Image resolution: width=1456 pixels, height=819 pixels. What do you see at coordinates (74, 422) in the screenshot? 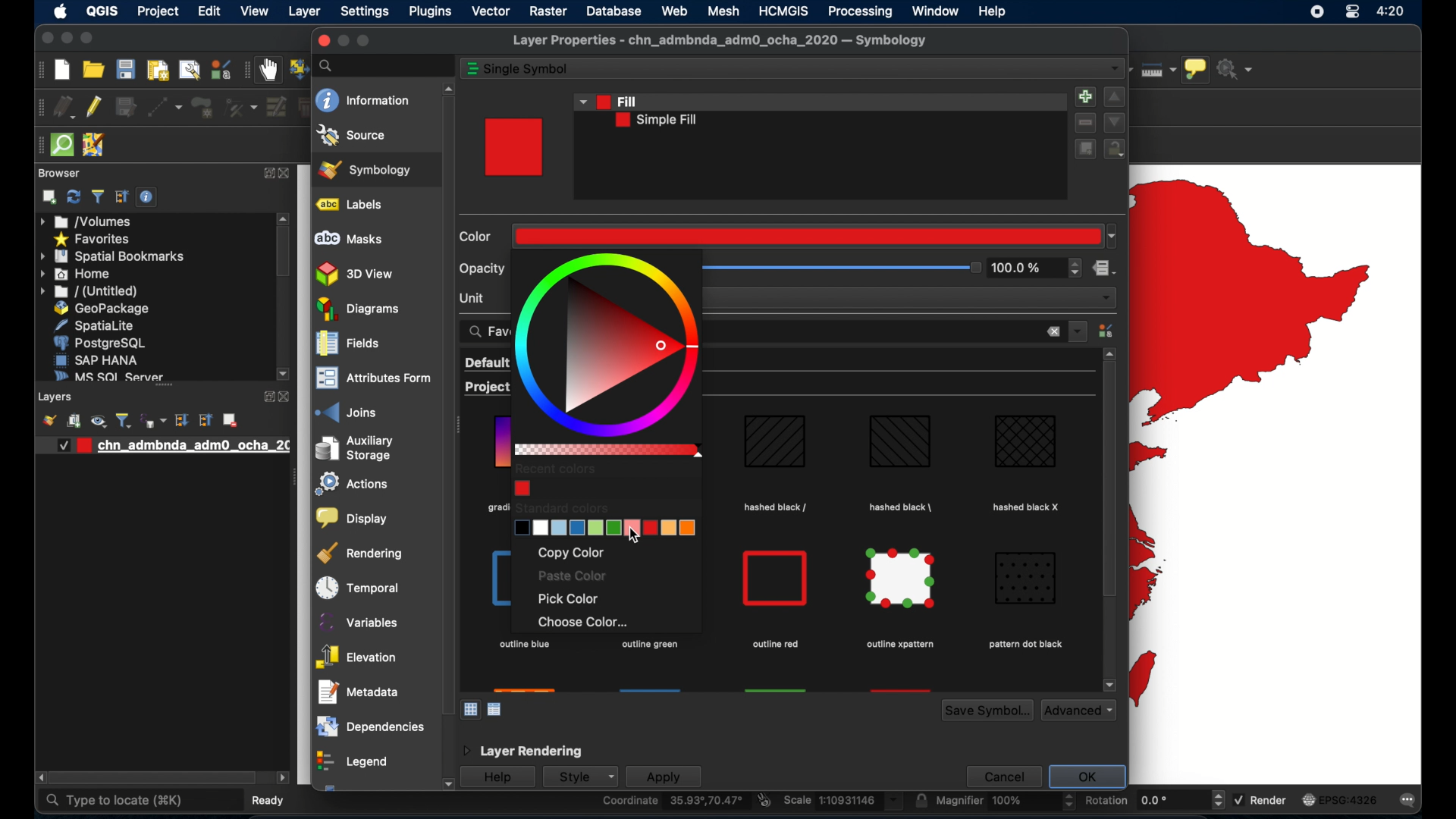
I see `add group` at bounding box center [74, 422].